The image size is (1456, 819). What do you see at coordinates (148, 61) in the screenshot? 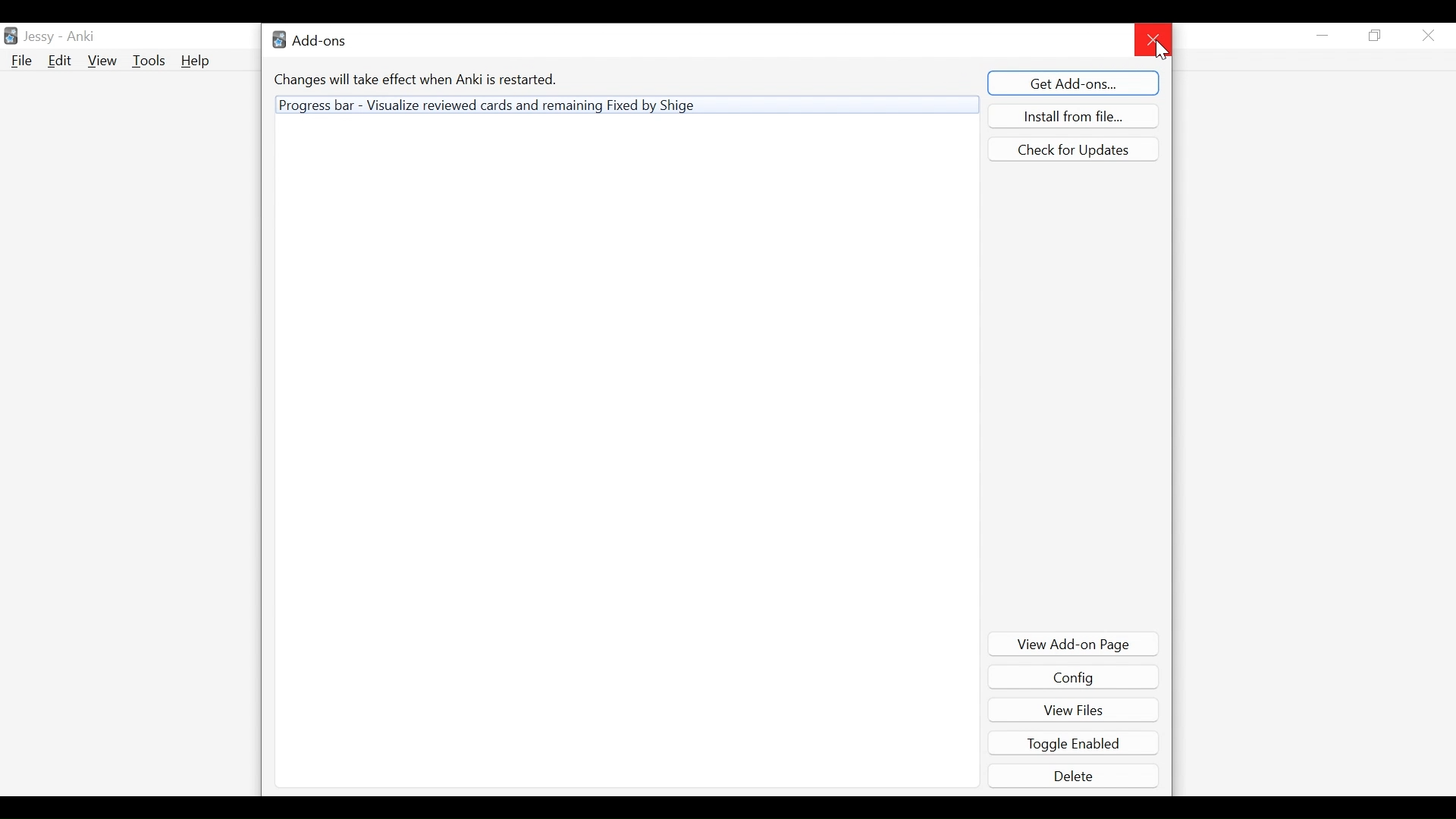
I see `Tools` at bounding box center [148, 61].